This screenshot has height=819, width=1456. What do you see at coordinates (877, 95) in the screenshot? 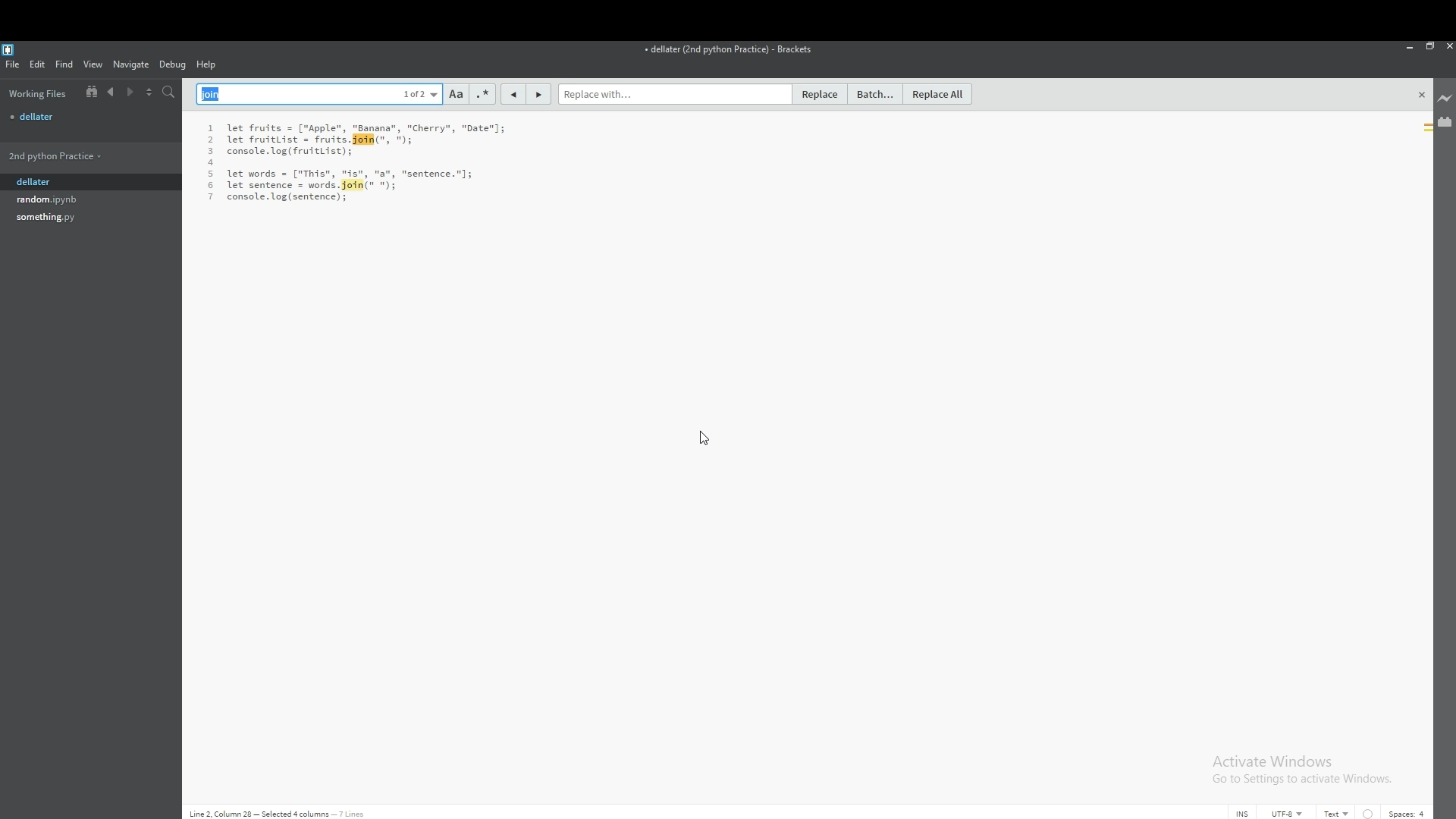
I see `batch` at bounding box center [877, 95].